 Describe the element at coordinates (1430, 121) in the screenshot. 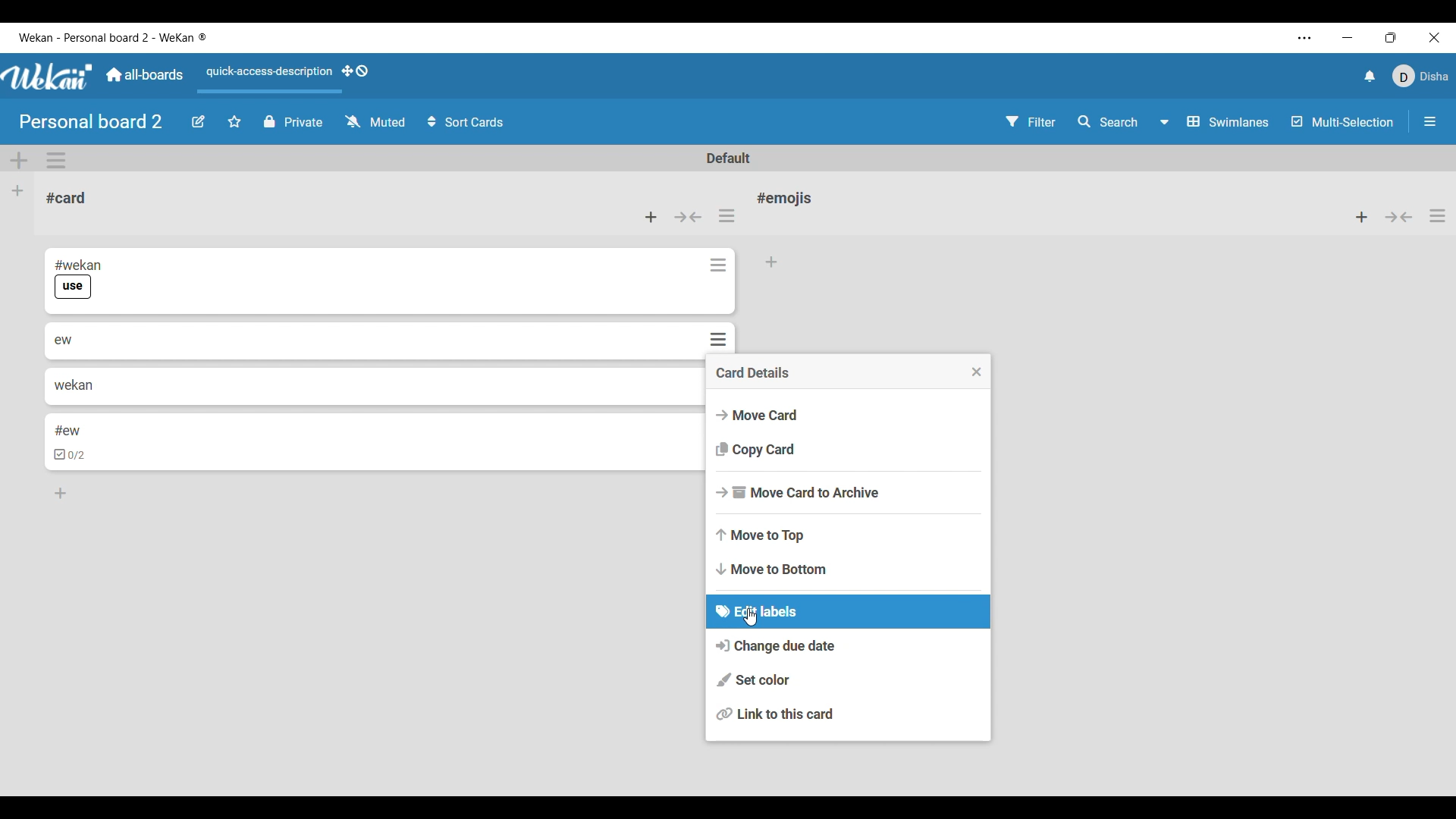

I see `Open/Close sidebar` at that location.